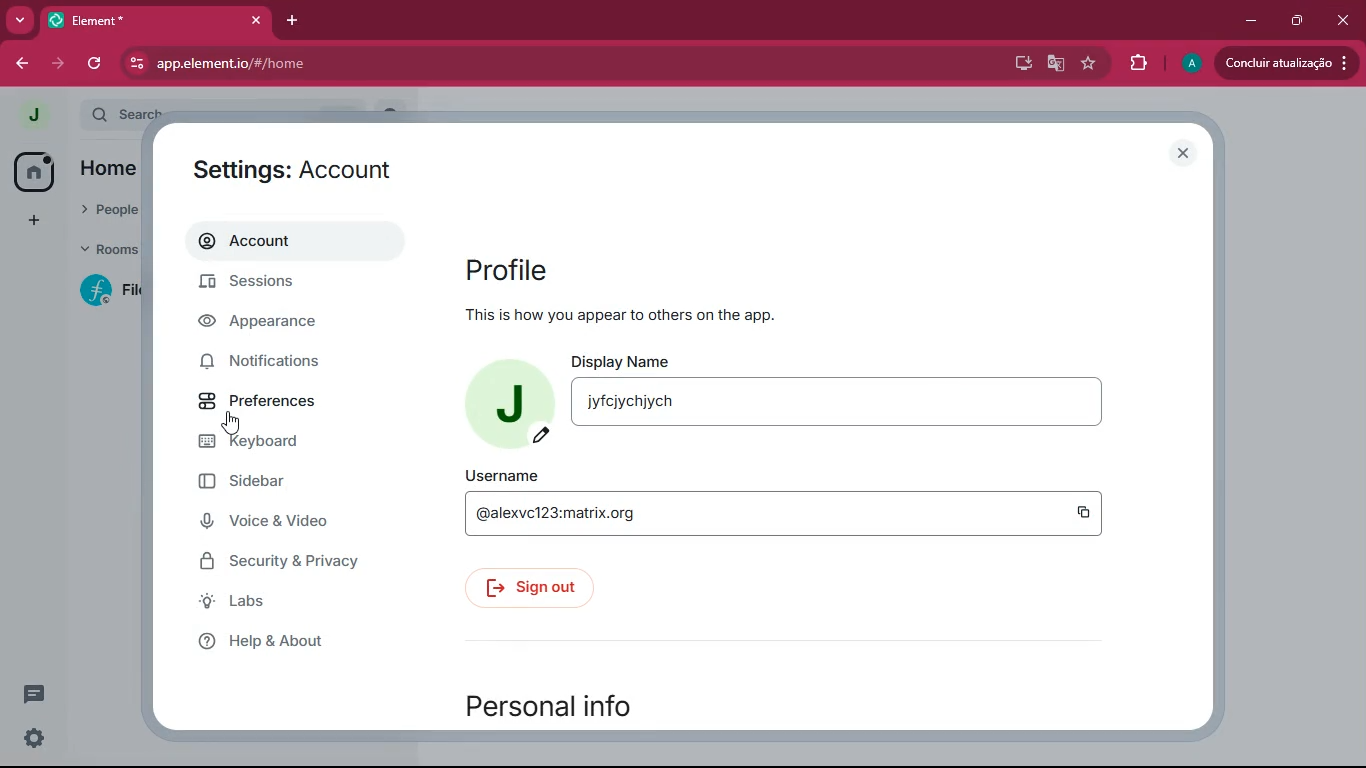  Describe the element at coordinates (30, 739) in the screenshot. I see `settings` at that location.